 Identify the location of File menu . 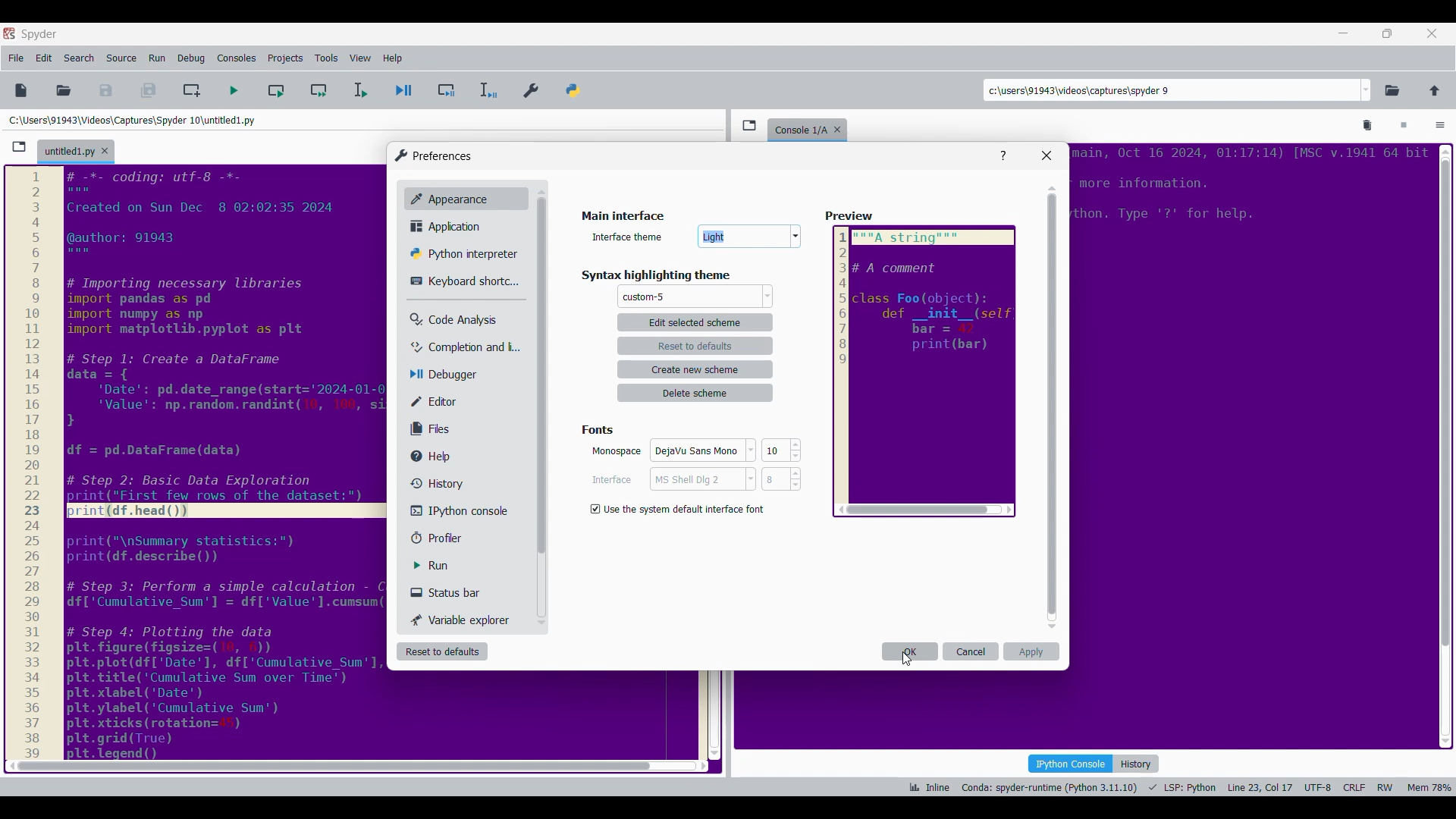
(16, 58).